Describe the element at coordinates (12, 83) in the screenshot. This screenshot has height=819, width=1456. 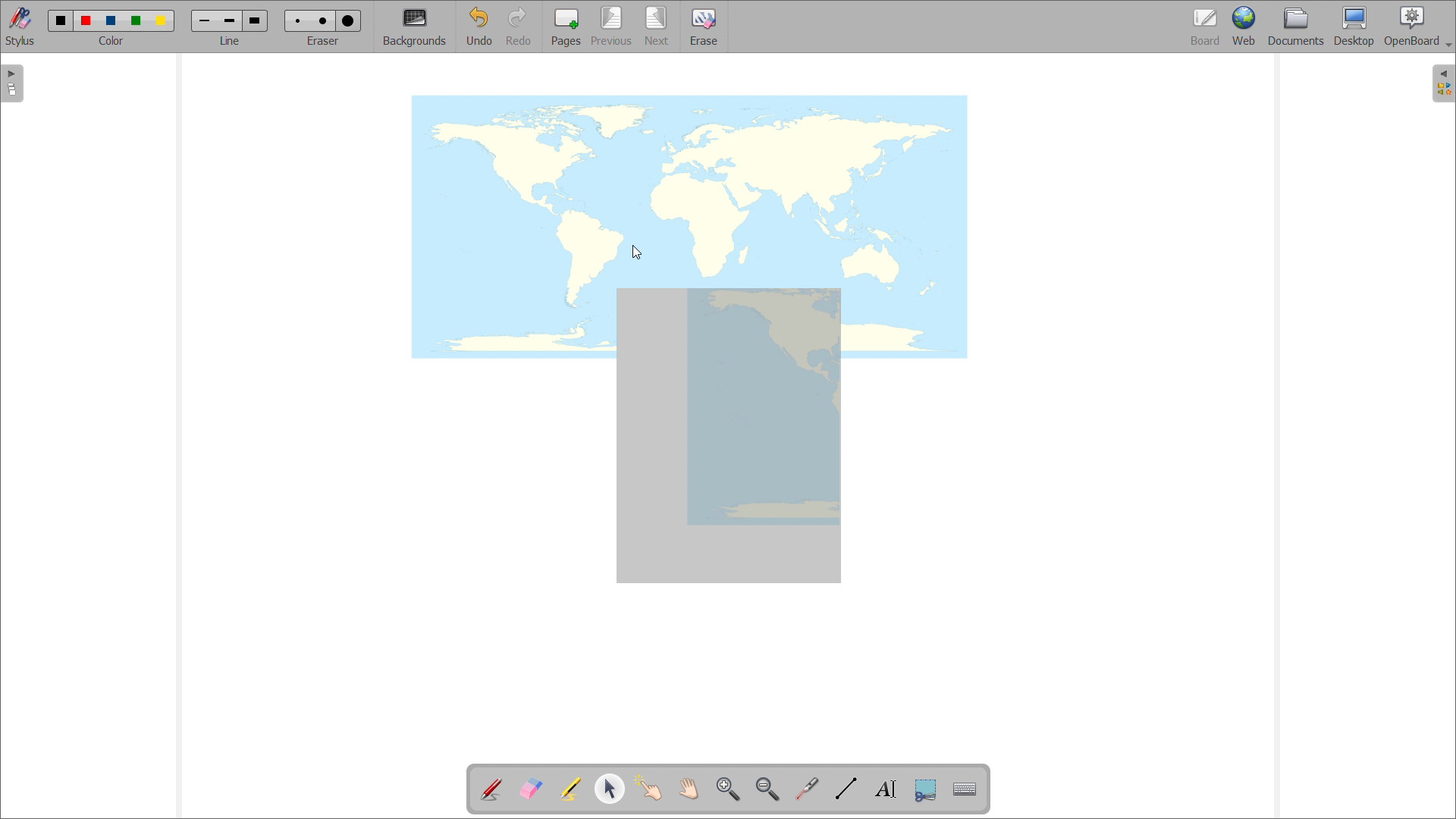
I see `open pages view` at that location.